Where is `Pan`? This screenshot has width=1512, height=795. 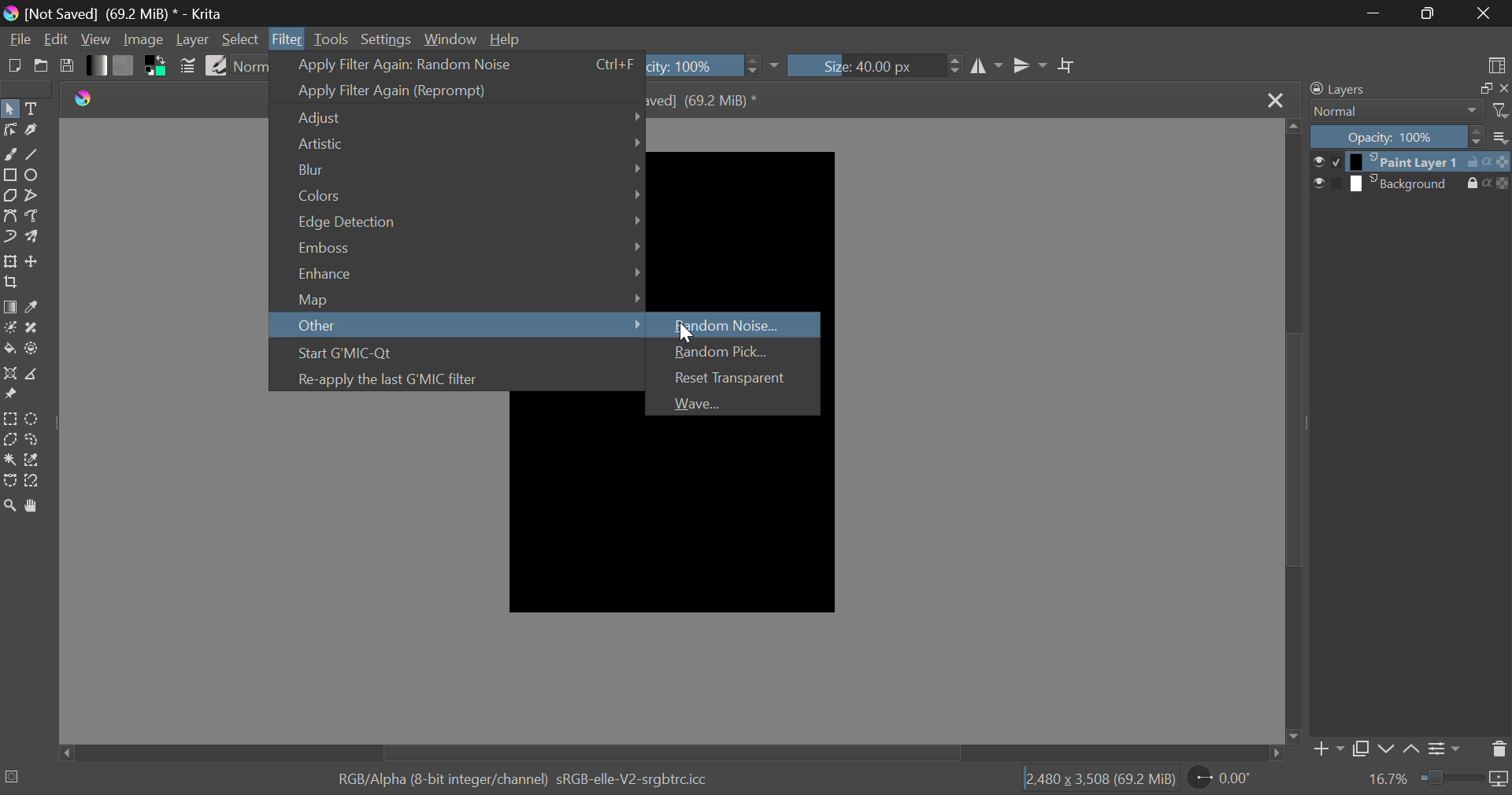 Pan is located at coordinates (36, 506).